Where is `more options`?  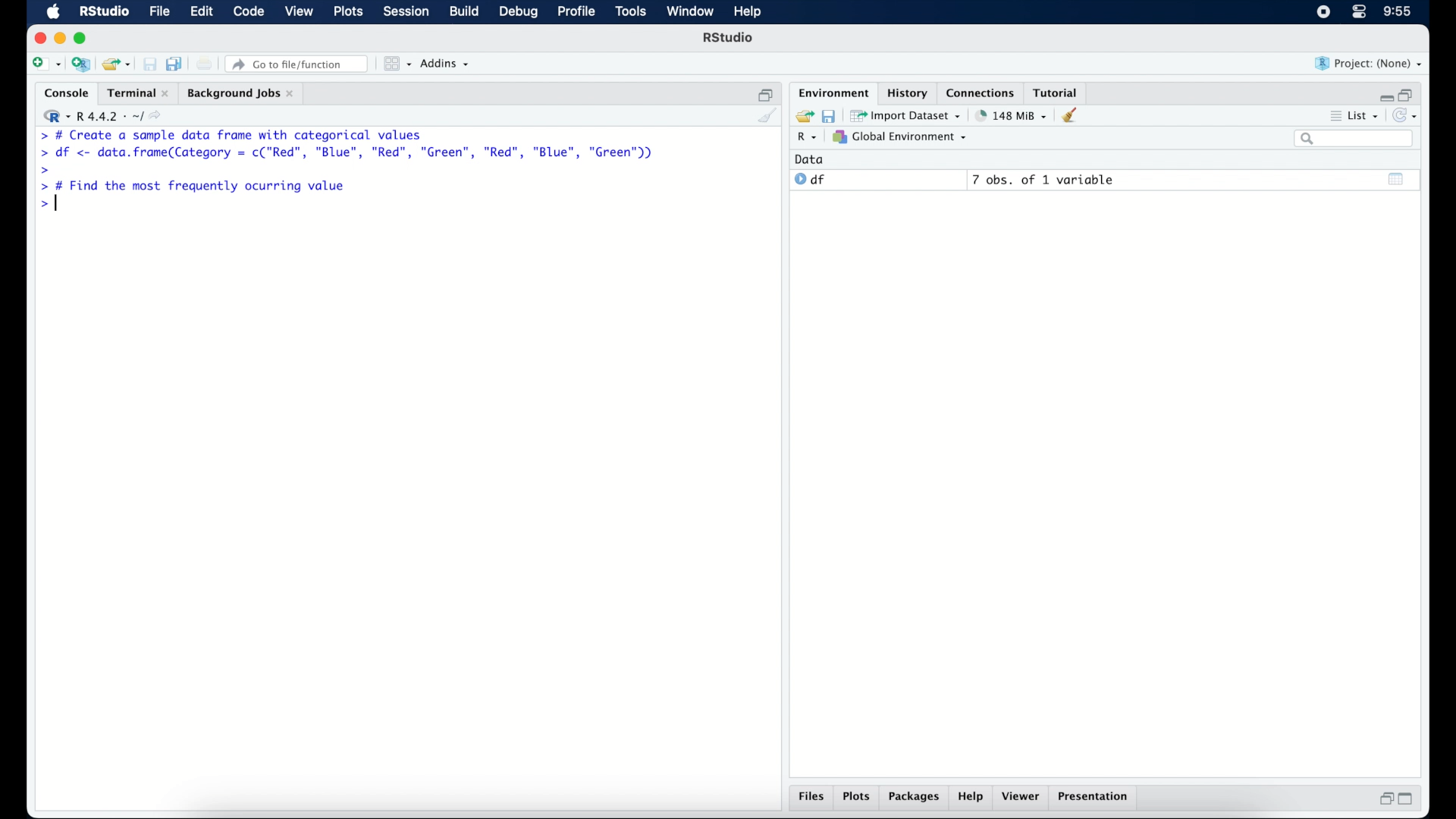 more options is located at coordinates (1333, 115).